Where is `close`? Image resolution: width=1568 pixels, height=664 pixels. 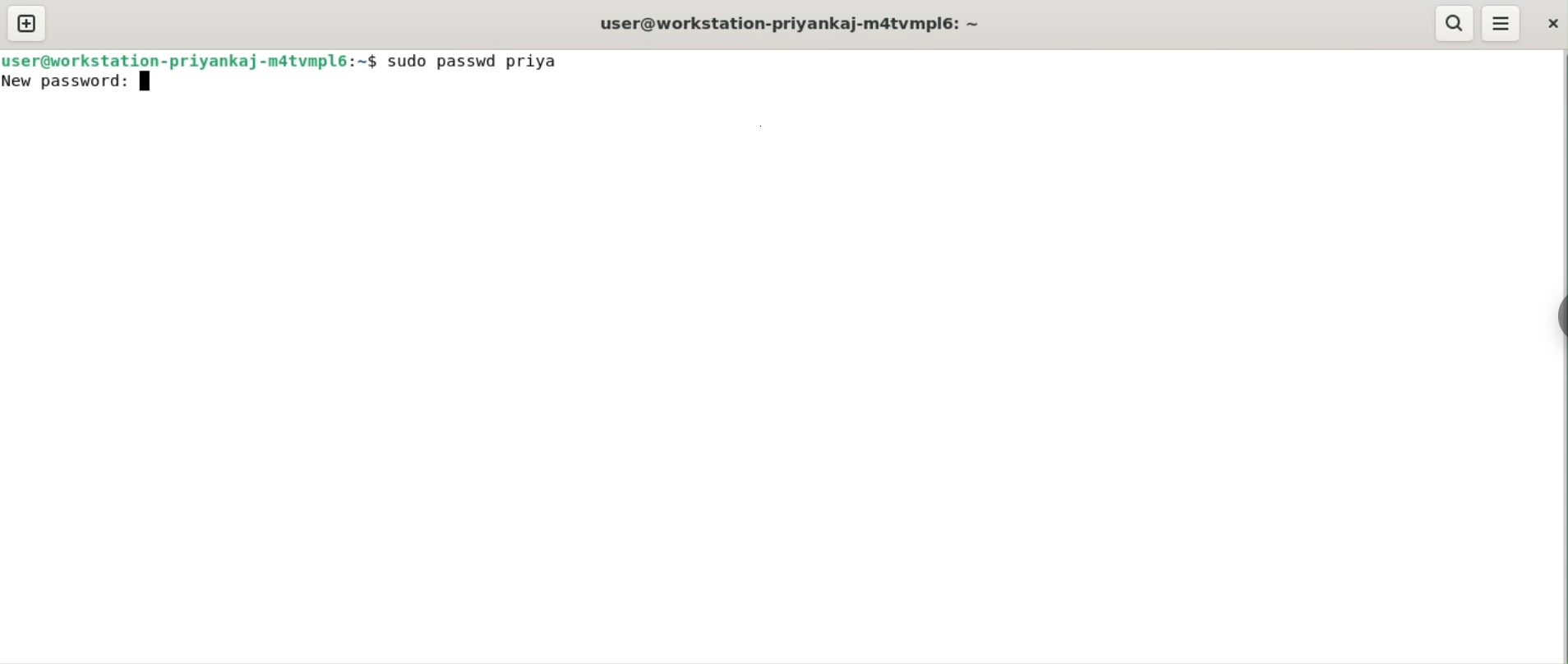
close is located at coordinates (1554, 24).